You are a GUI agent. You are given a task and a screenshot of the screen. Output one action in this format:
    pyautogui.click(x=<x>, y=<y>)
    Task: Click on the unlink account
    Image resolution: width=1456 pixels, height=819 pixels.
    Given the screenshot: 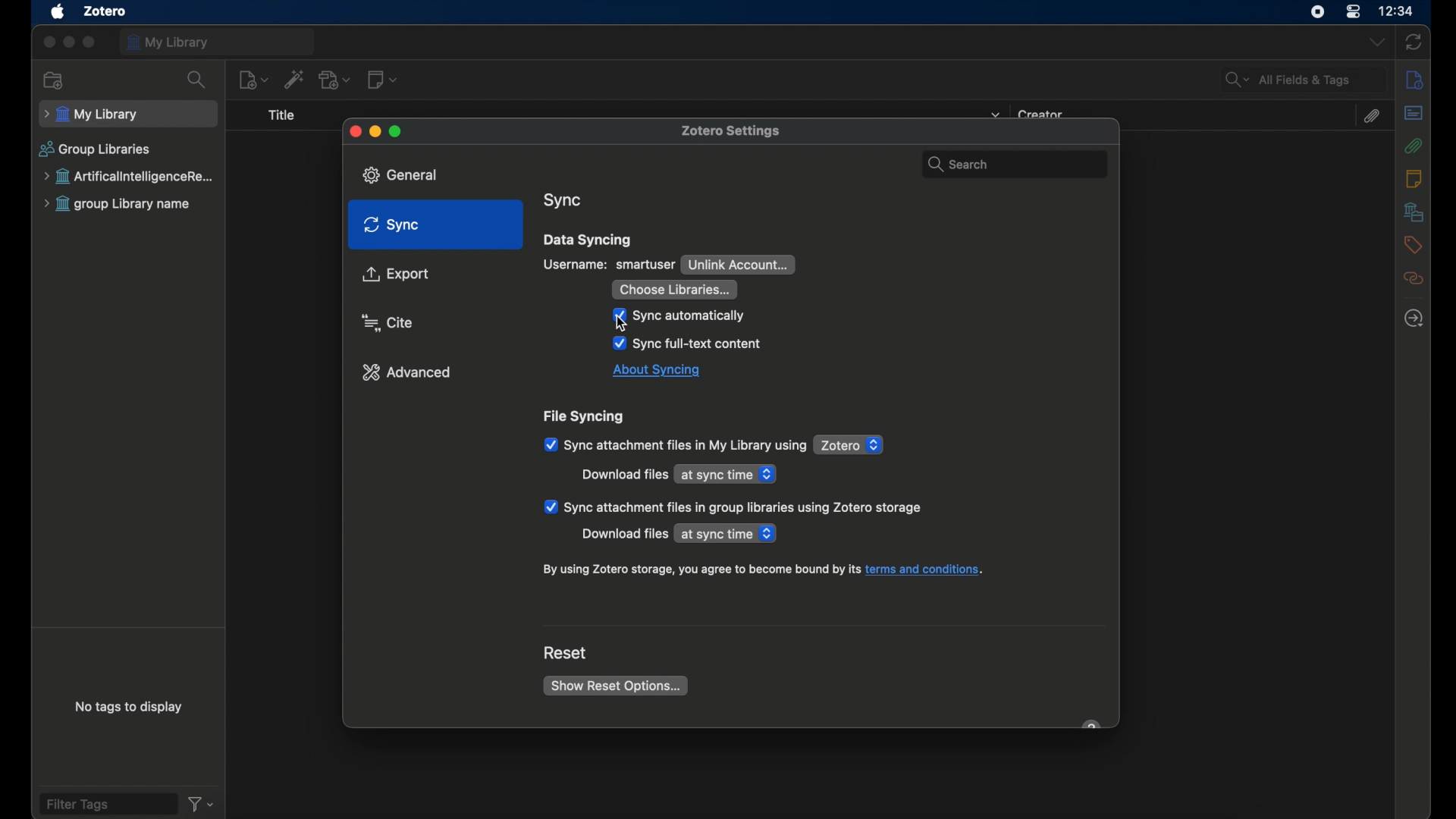 What is the action you would take?
    pyautogui.click(x=739, y=265)
    